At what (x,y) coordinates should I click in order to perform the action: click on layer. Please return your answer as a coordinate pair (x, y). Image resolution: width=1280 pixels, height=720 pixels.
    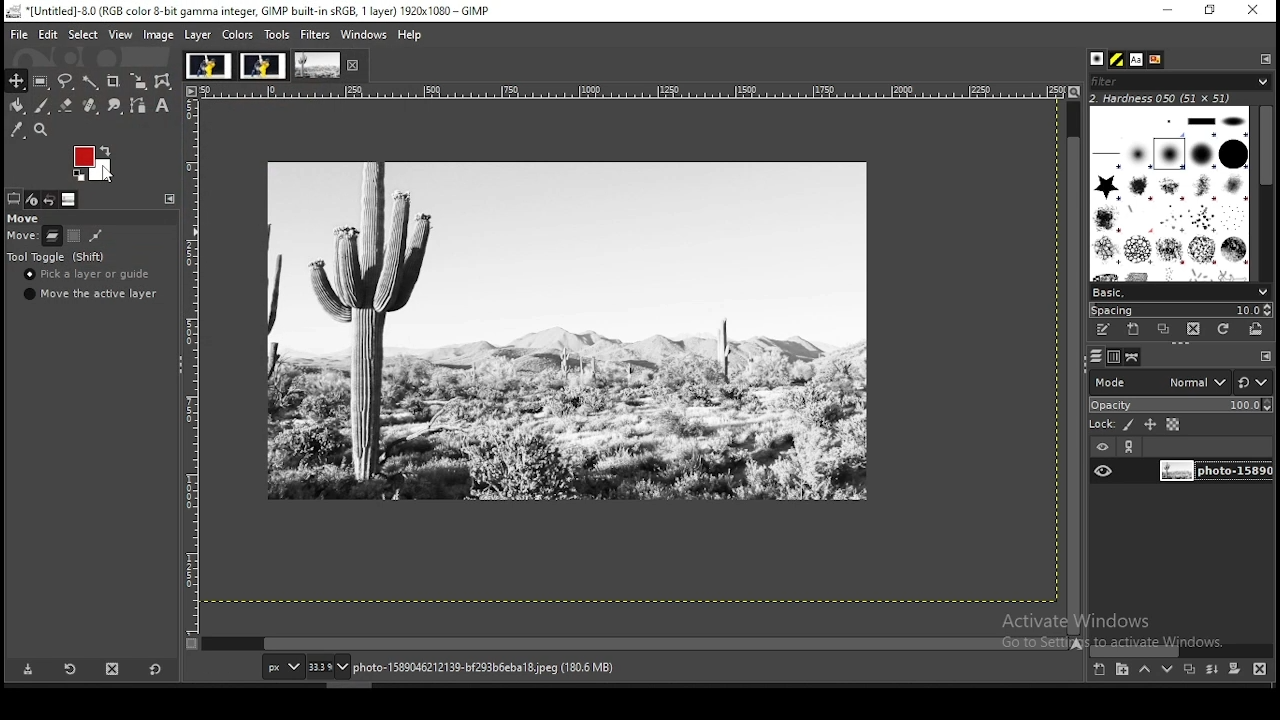
    Looking at the image, I should click on (1213, 472).